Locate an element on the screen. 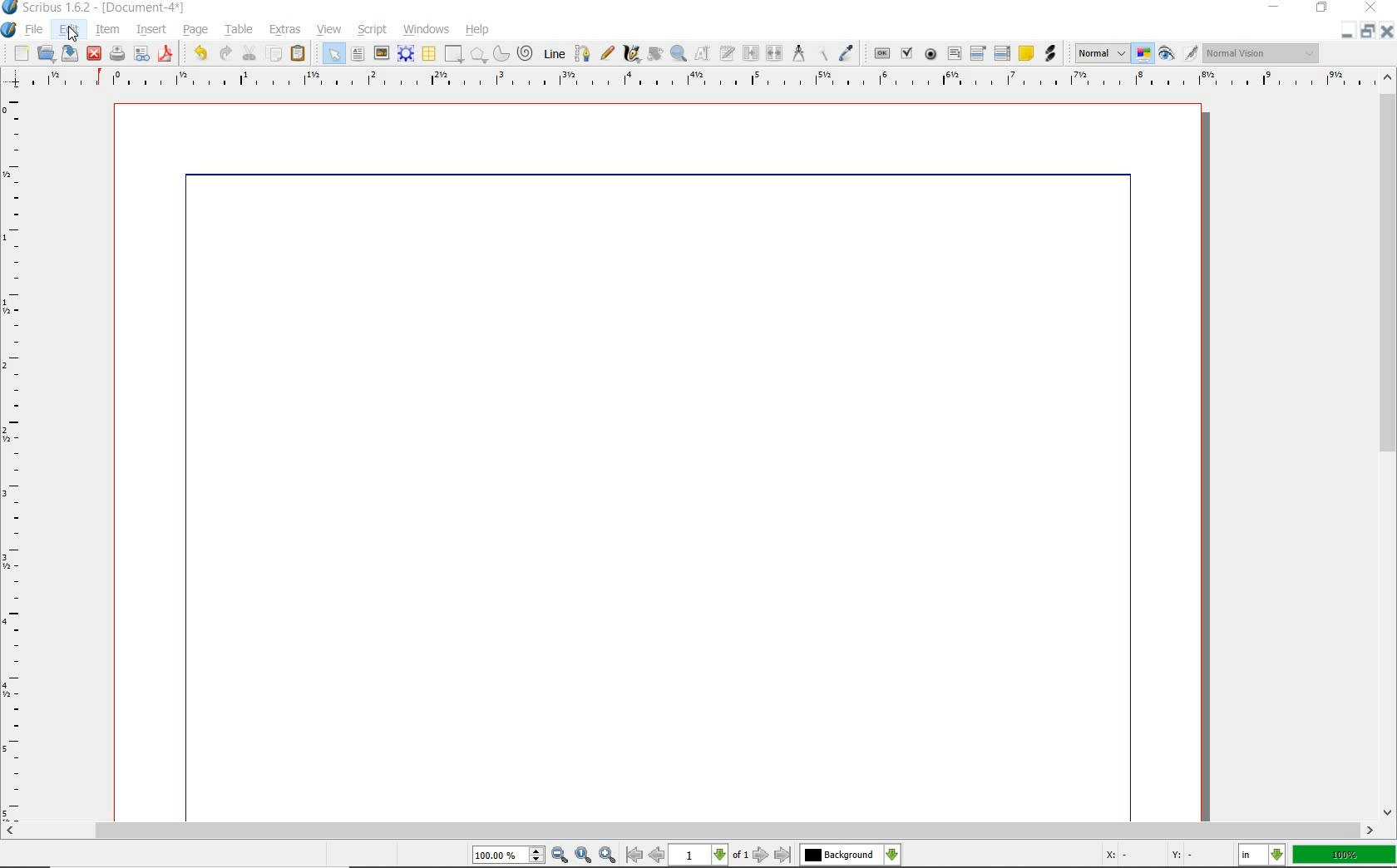  pdf text field is located at coordinates (954, 54).